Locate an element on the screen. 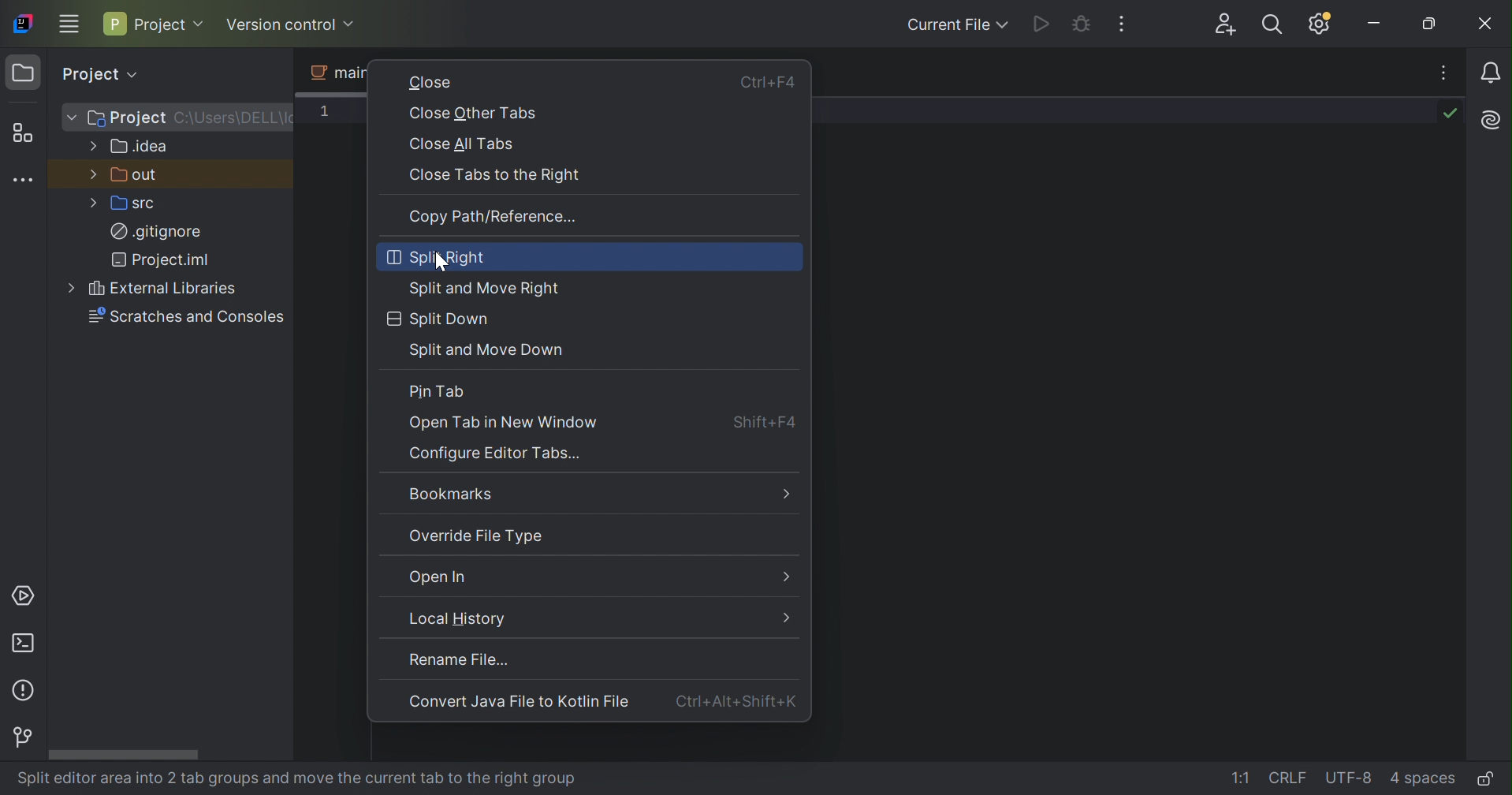 This screenshot has height=795, width=1512. Make file read-only is located at coordinates (1487, 777).